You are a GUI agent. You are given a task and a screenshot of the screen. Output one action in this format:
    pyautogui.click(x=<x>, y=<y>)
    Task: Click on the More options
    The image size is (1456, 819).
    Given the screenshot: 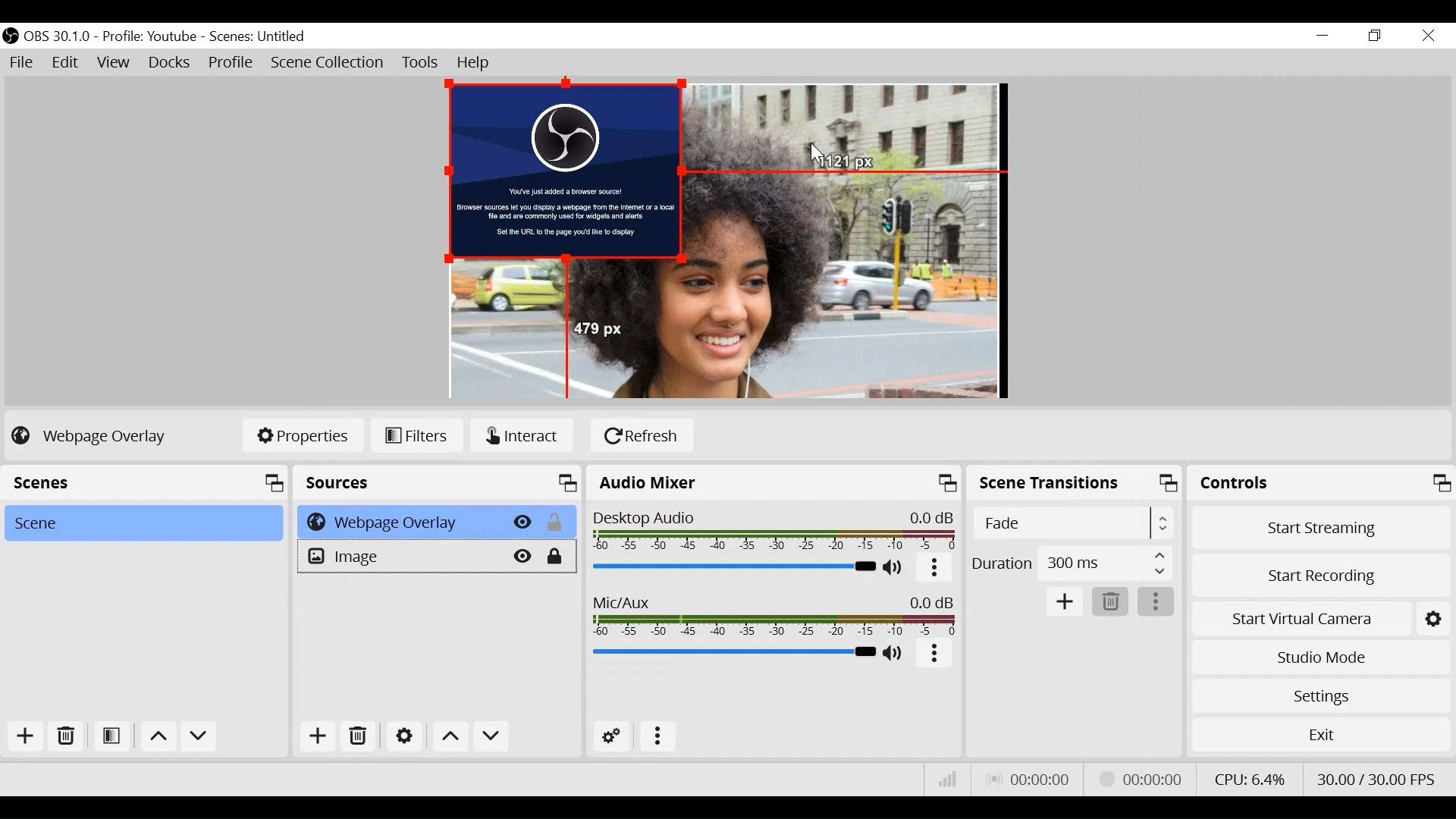 What is the action you would take?
    pyautogui.click(x=934, y=569)
    